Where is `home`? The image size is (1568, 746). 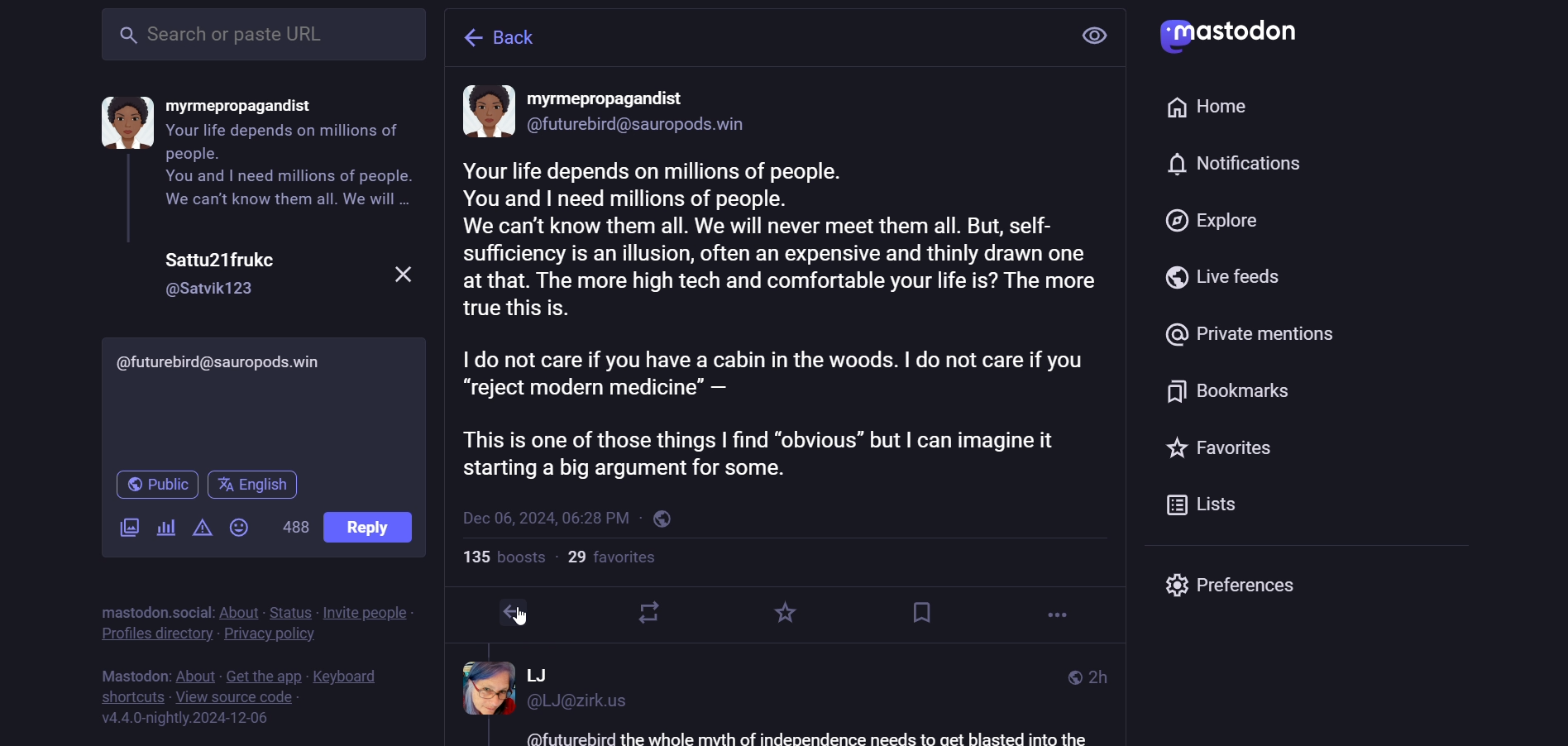 home is located at coordinates (1217, 108).